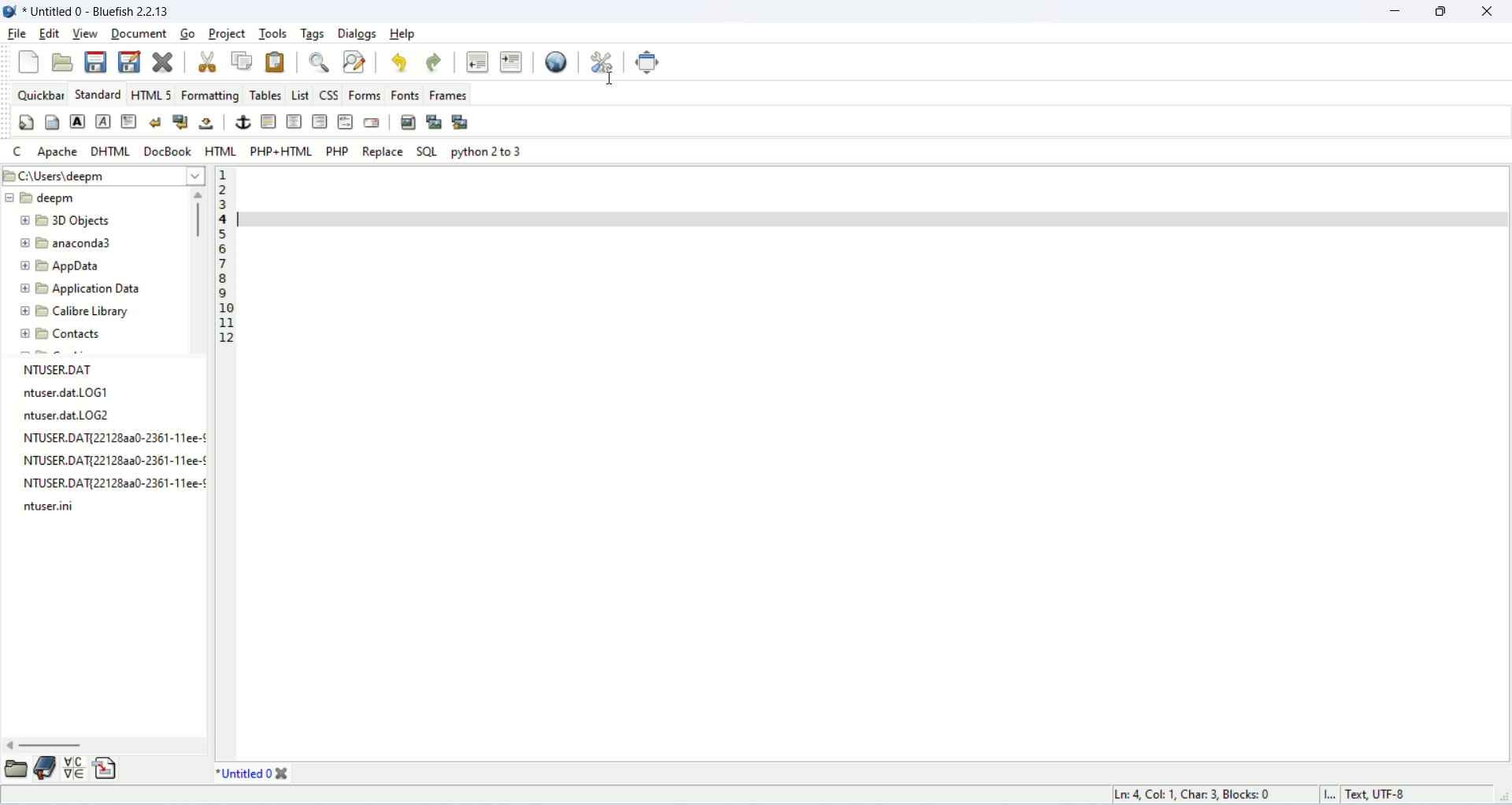 Image resolution: width=1512 pixels, height=805 pixels. What do you see at coordinates (74, 311) in the screenshot?
I see `calibre library` at bounding box center [74, 311].